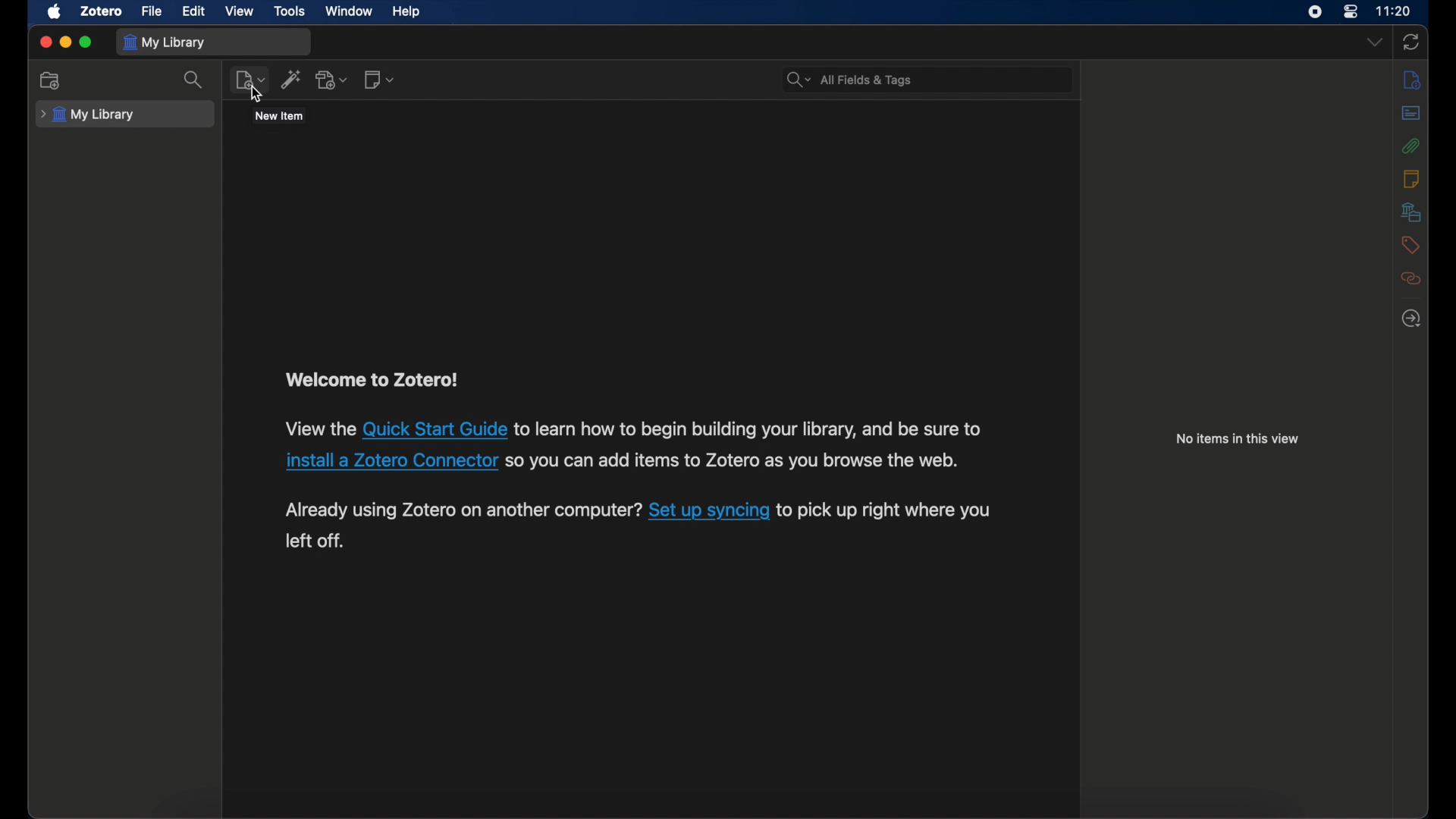  Describe the element at coordinates (51, 81) in the screenshot. I see `add collection` at that location.